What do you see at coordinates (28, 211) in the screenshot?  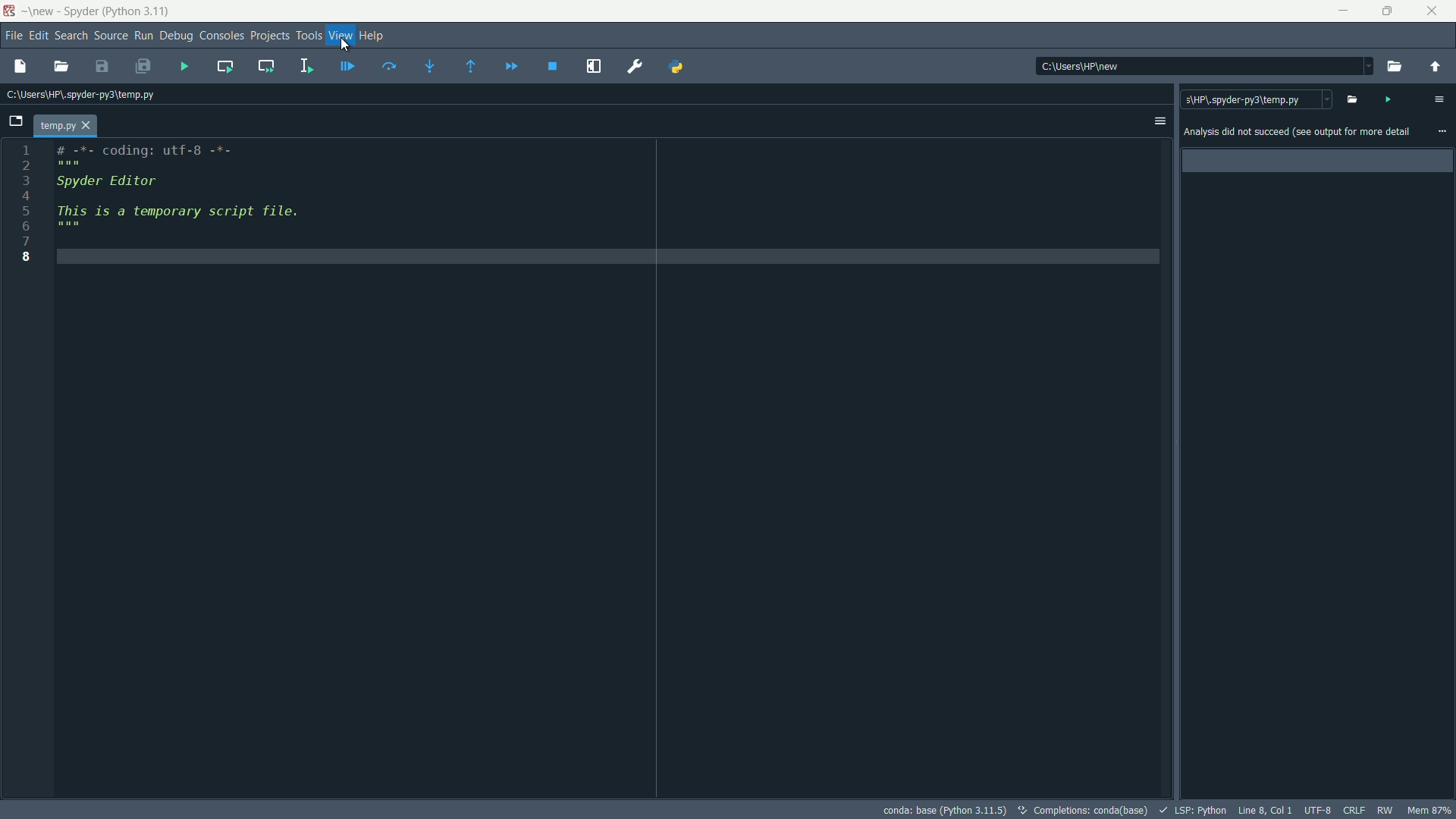 I see `5` at bounding box center [28, 211].